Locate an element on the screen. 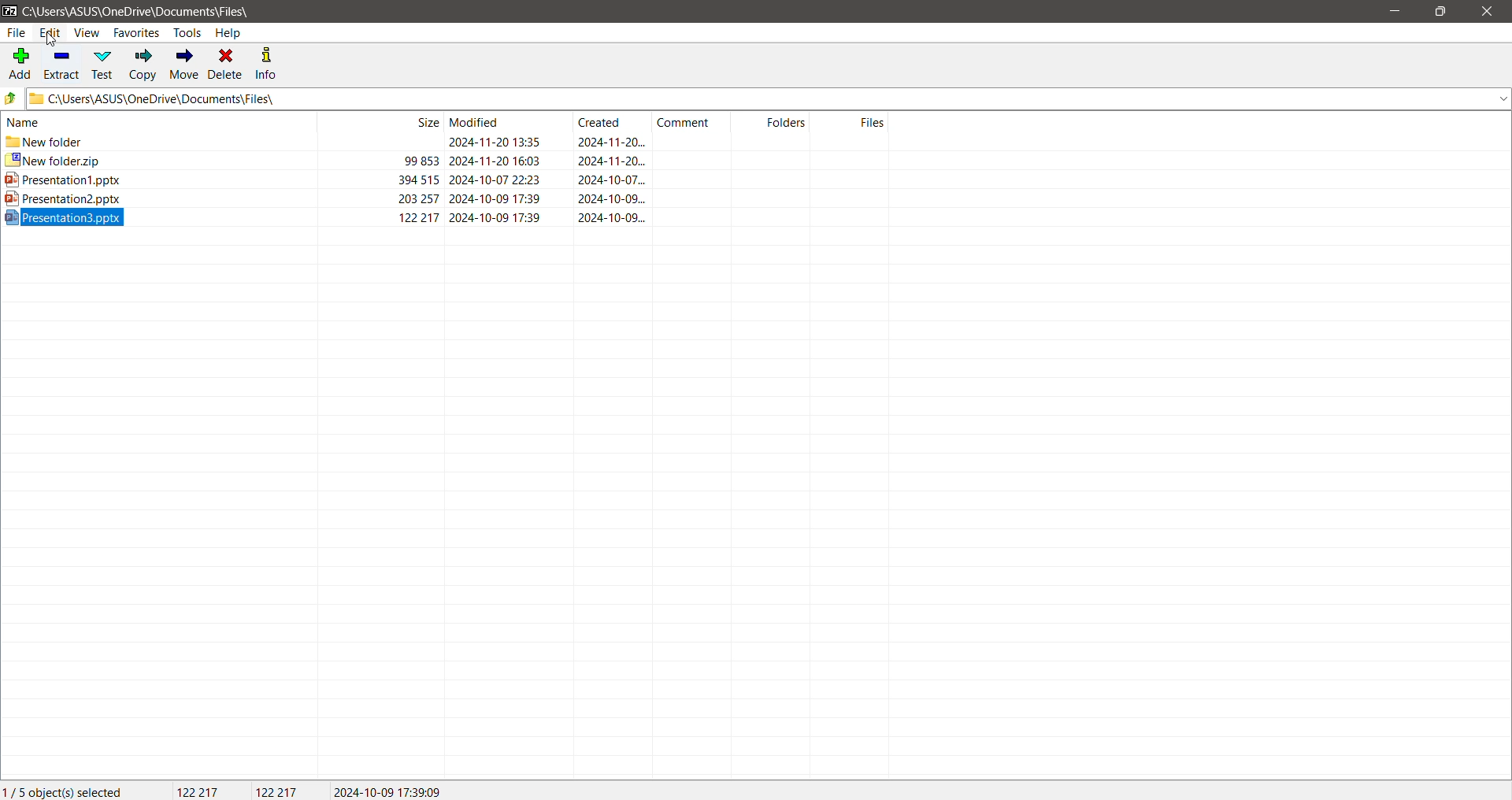 The height and width of the screenshot is (800, 1512). Restore Down is located at coordinates (1442, 13).